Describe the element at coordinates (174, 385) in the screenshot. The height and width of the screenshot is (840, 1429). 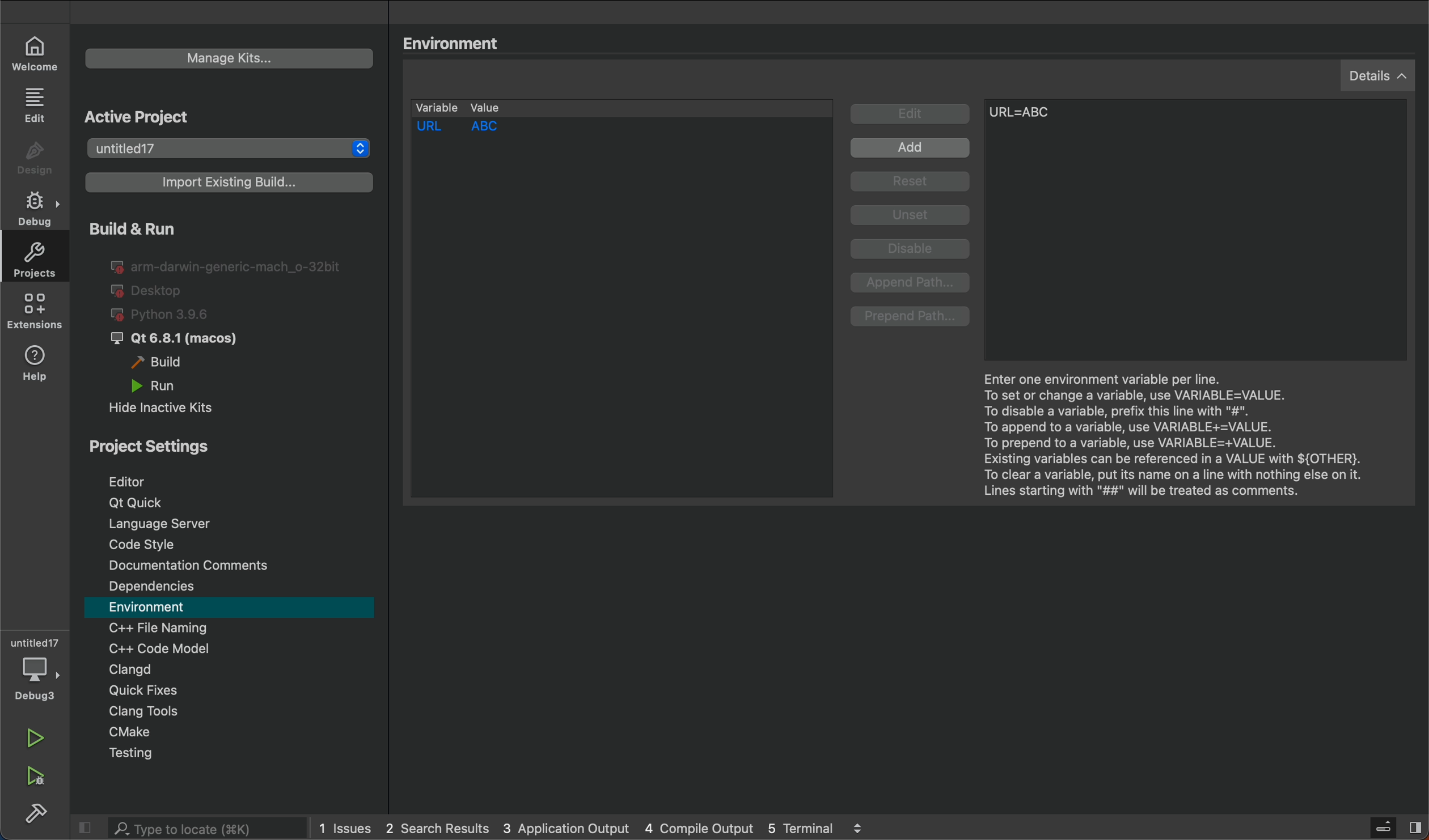
I see `run` at that location.